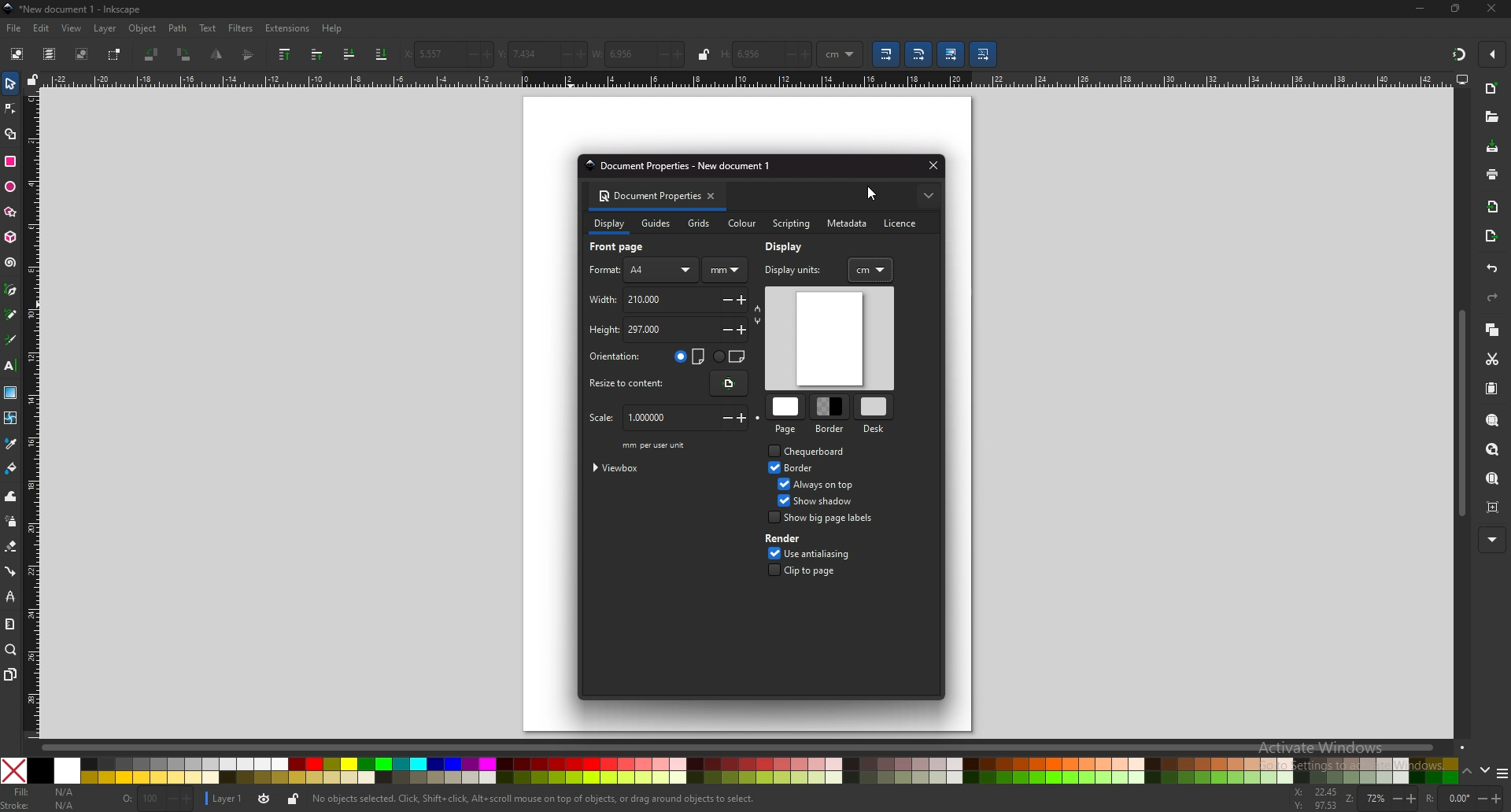 Image resolution: width=1511 pixels, height=812 pixels. Describe the element at coordinates (888, 54) in the screenshot. I see `scale stroke` at that location.